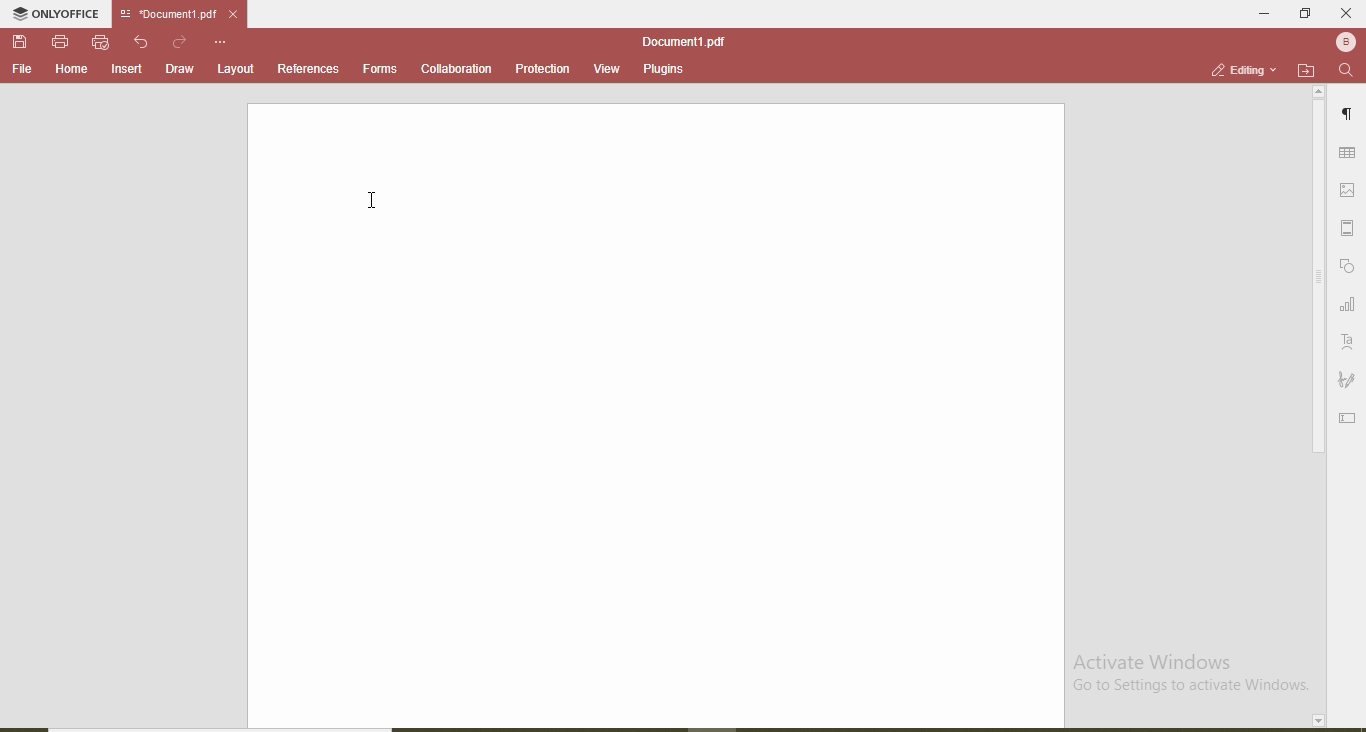 The width and height of the screenshot is (1366, 732). I want to click on file name, so click(683, 41).